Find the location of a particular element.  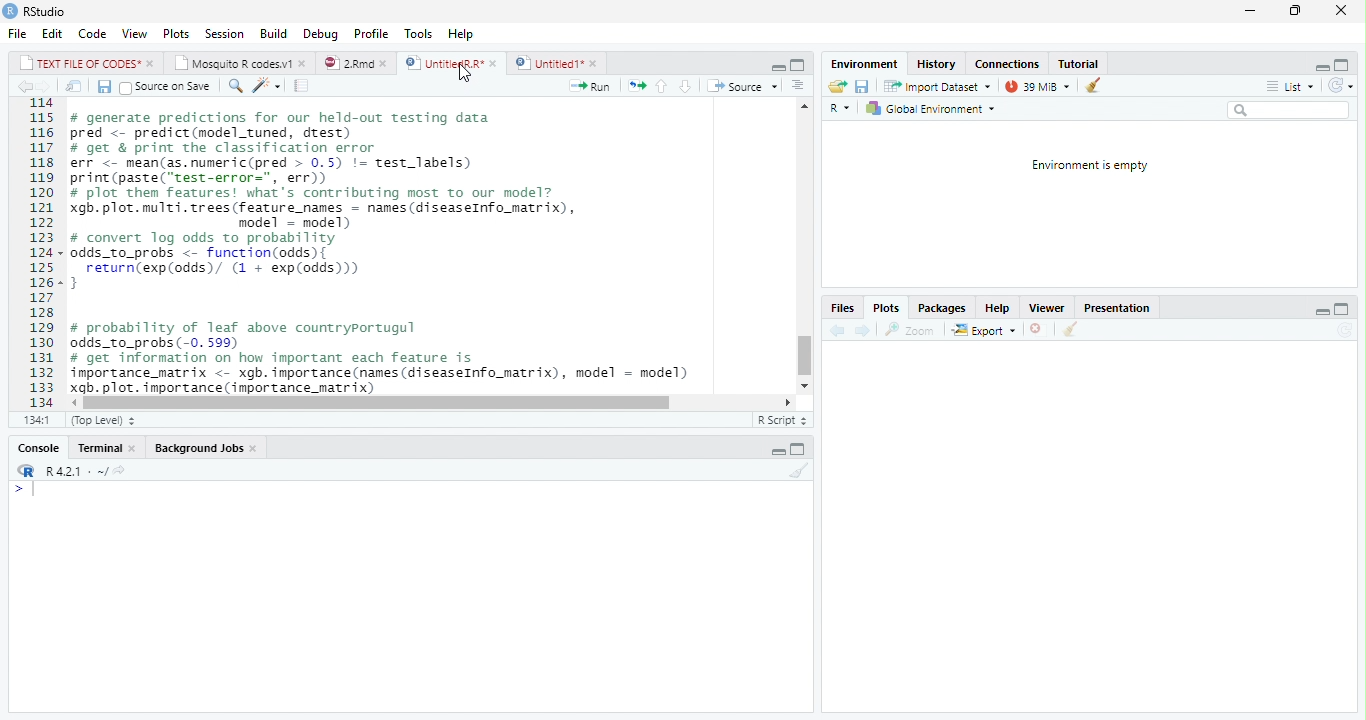

Down is located at coordinates (685, 85).